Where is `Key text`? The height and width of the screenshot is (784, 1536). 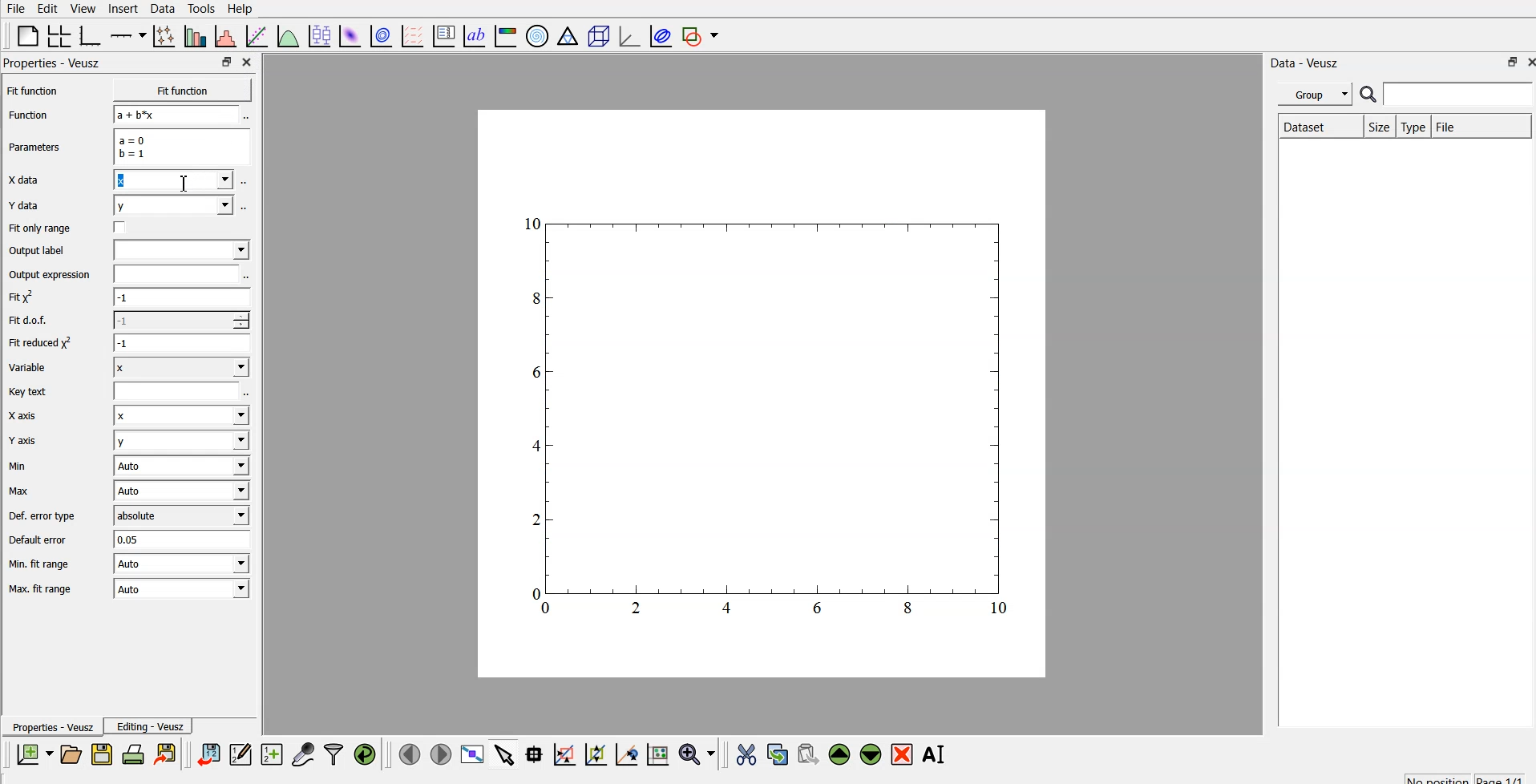 Key text is located at coordinates (38, 393).